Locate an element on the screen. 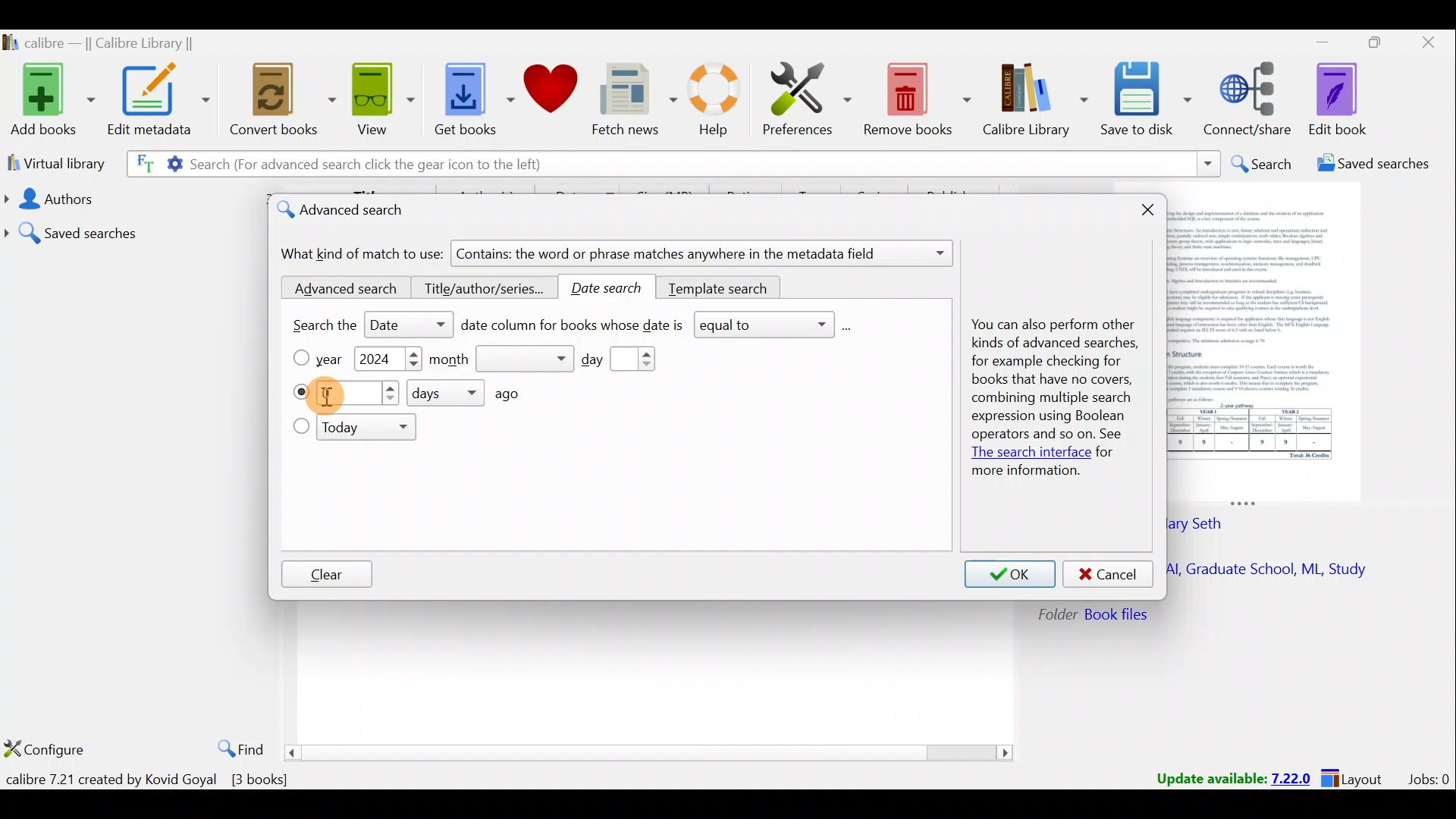 This screenshot has height=819, width=1456. OK is located at coordinates (1010, 575).